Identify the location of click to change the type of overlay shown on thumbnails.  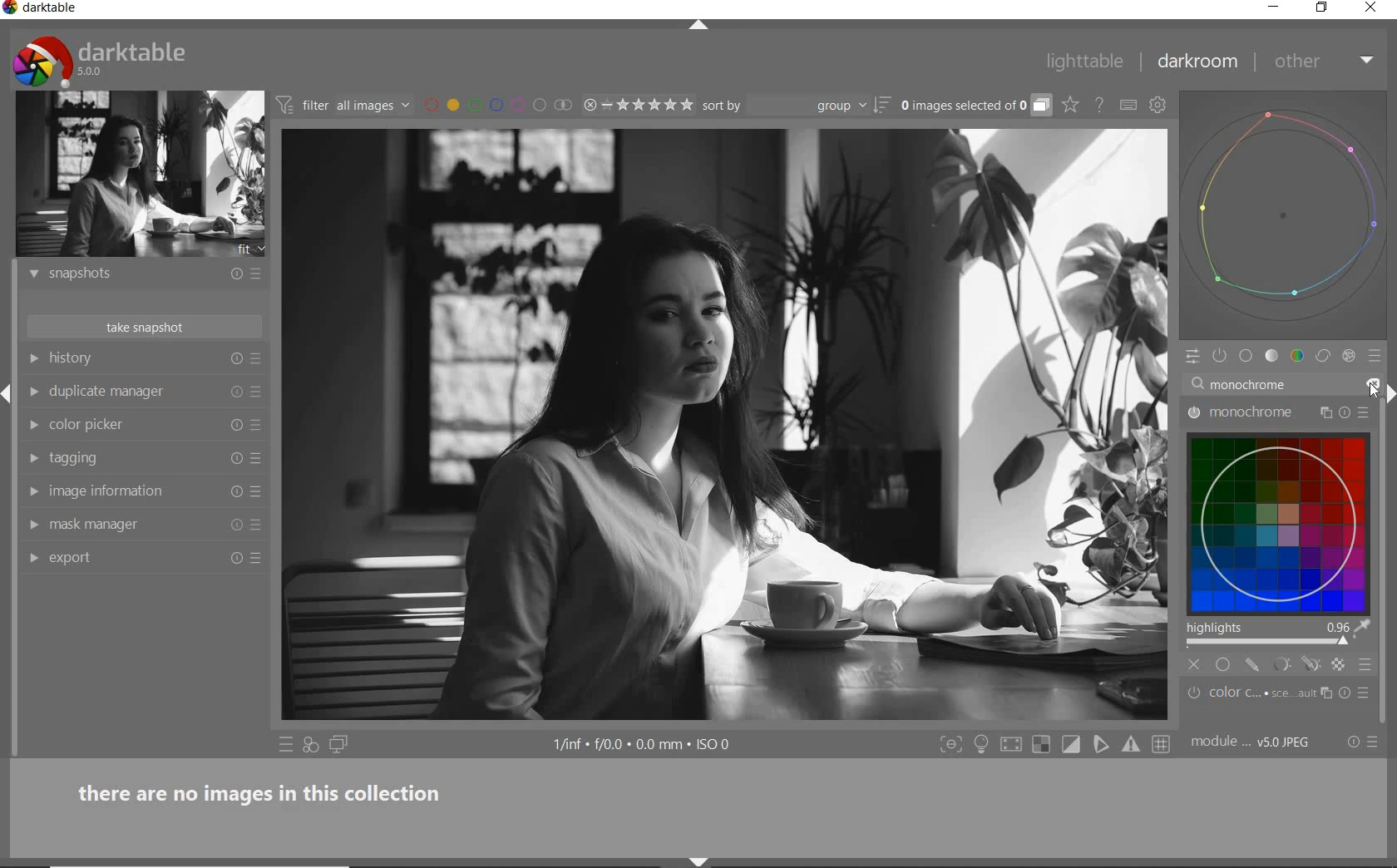
(1071, 106).